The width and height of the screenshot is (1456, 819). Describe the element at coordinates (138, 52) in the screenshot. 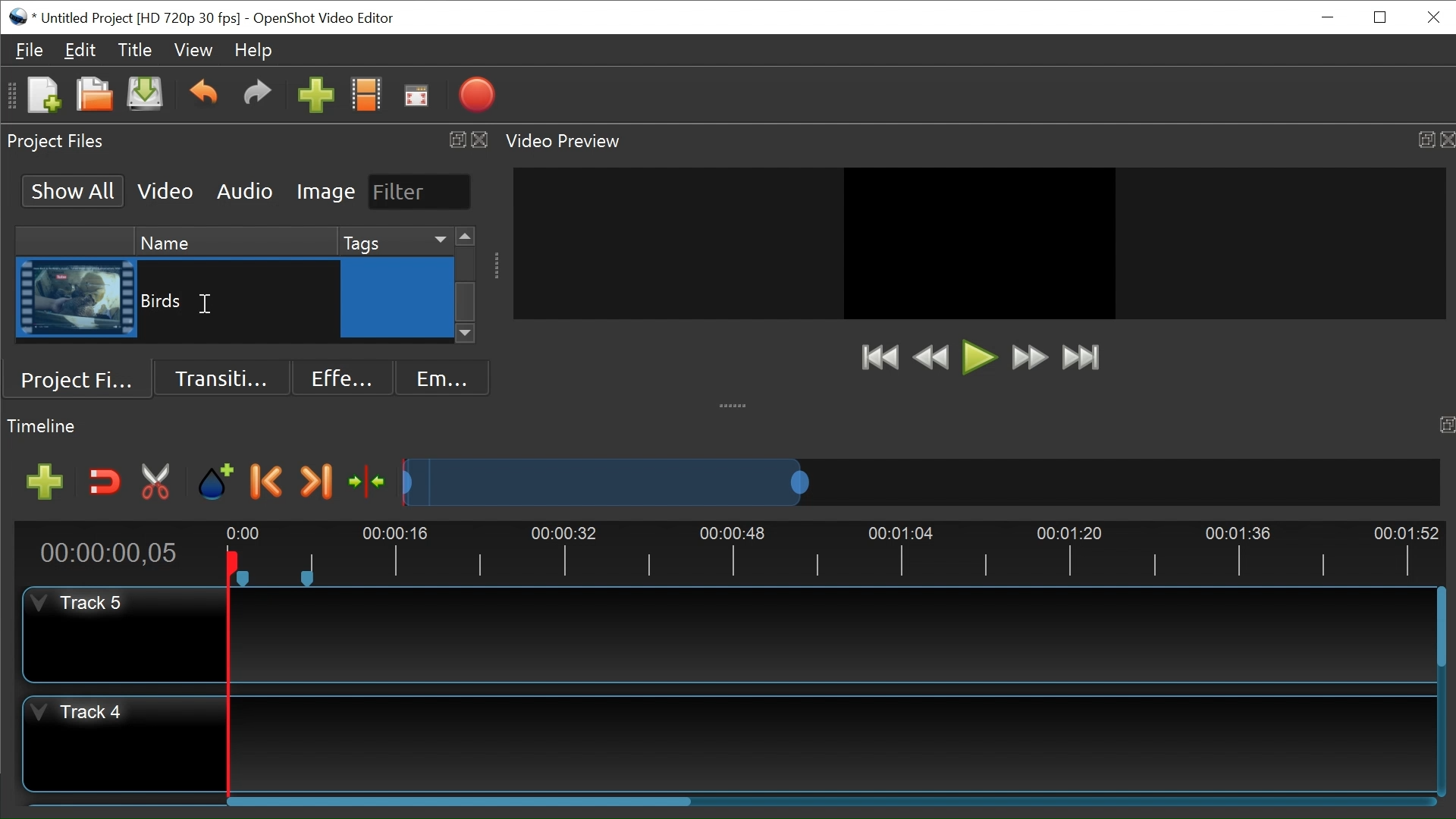

I see `Title` at that location.